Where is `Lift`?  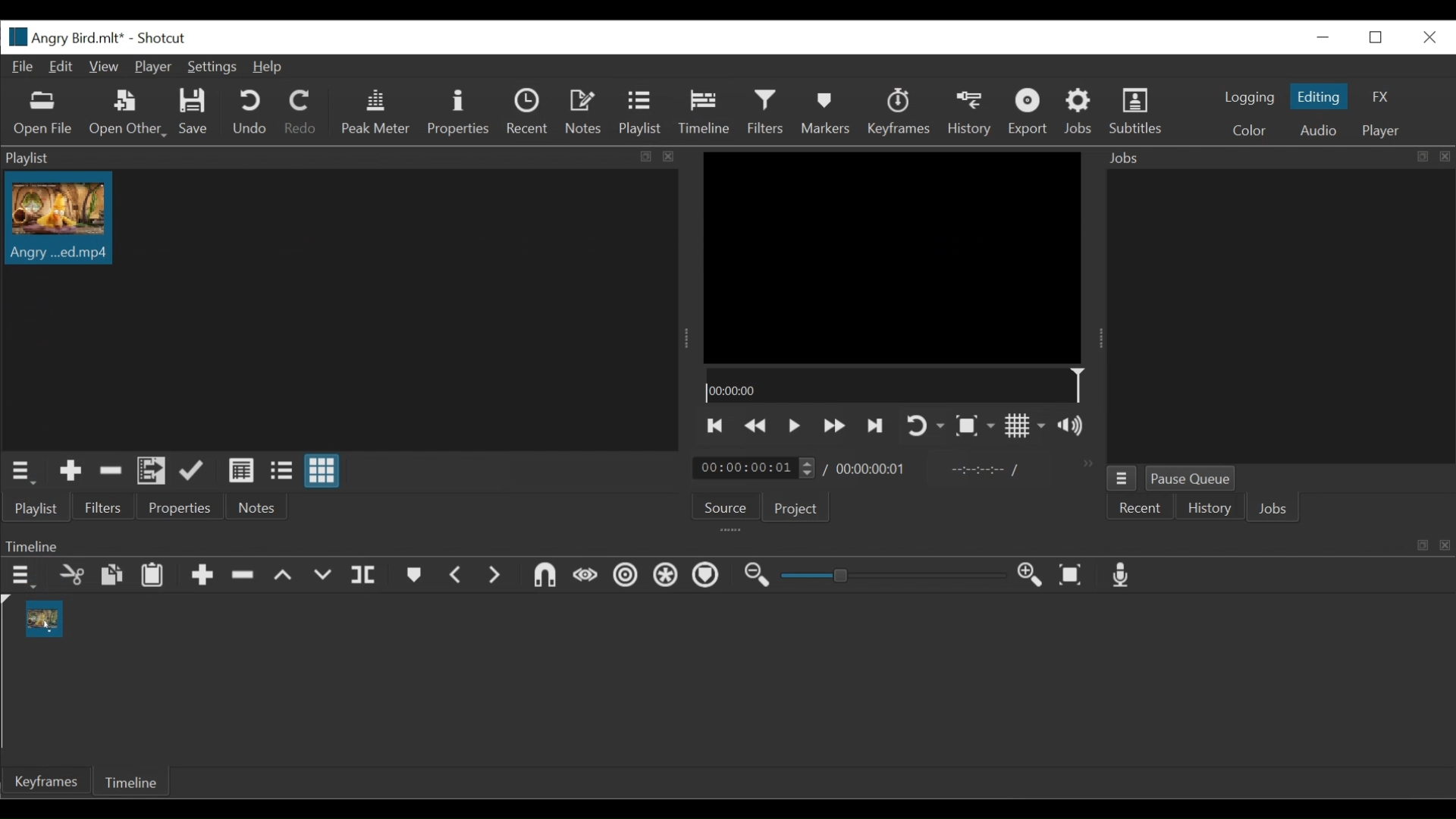
Lift is located at coordinates (283, 576).